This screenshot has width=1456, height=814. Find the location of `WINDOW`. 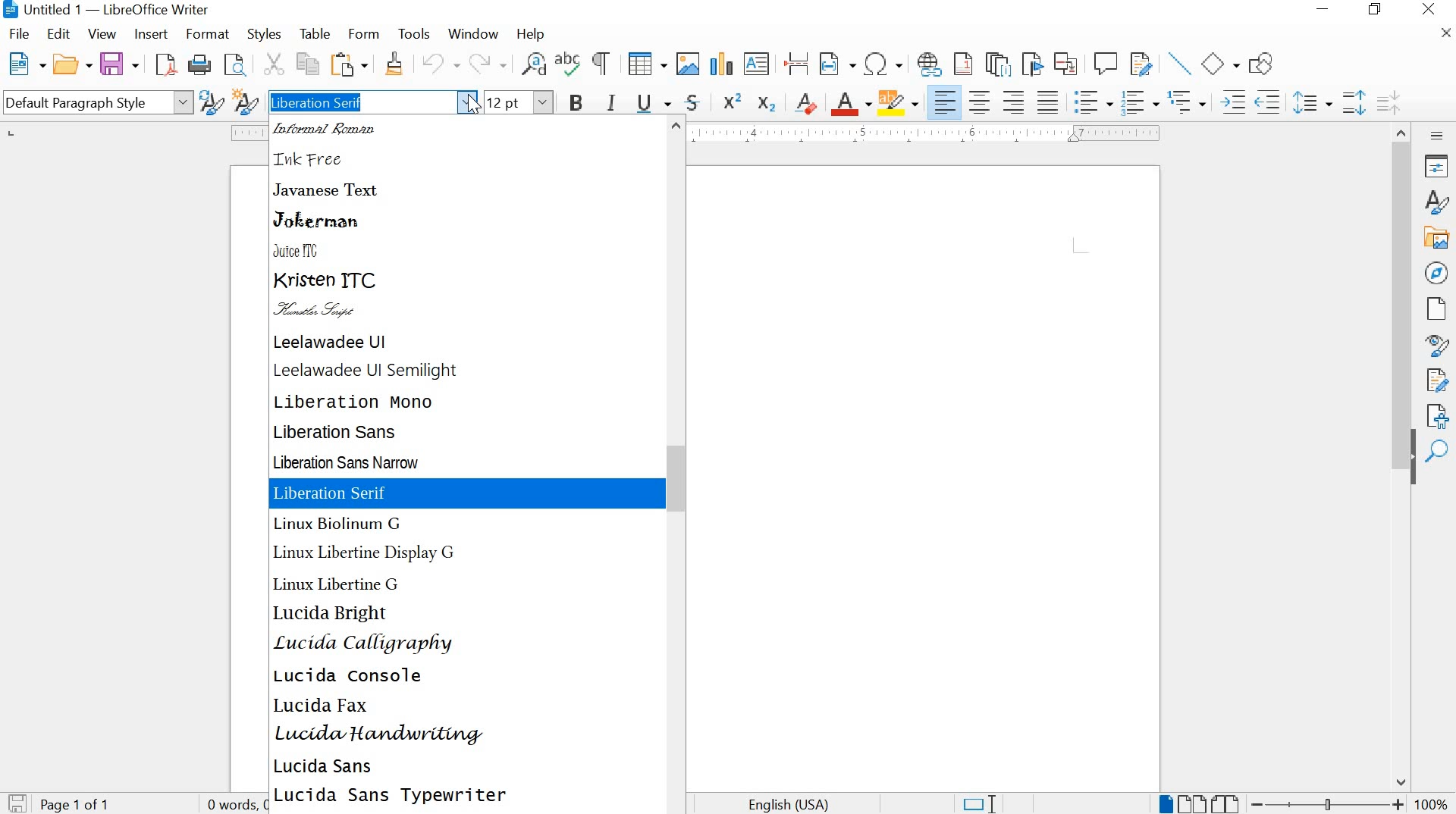

WINDOW is located at coordinates (472, 35).